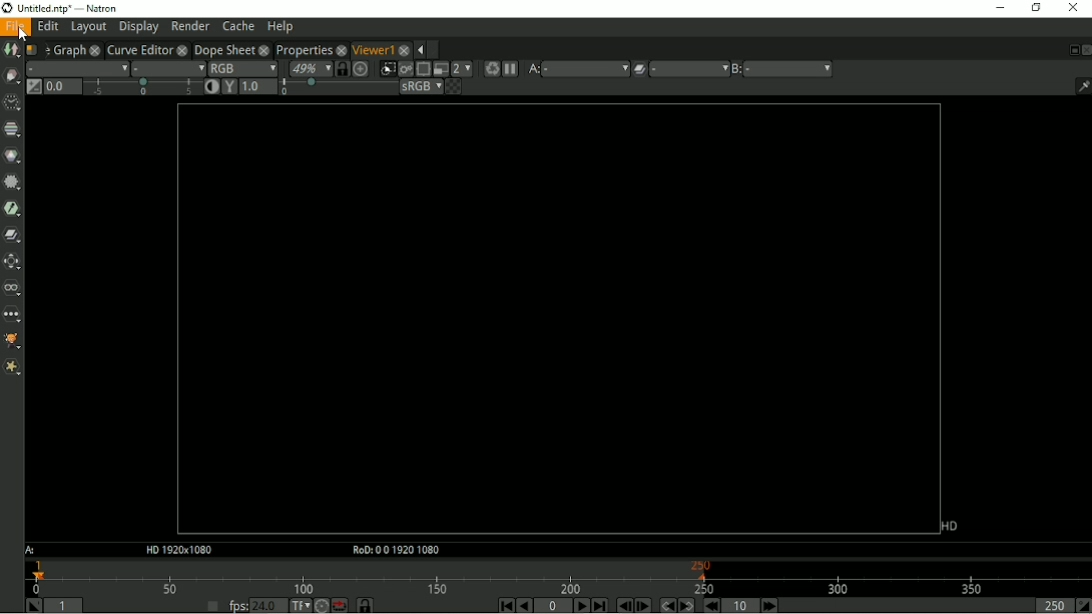 Image resolution: width=1092 pixels, height=614 pixels. I want to click on logo, so click(7, 8).